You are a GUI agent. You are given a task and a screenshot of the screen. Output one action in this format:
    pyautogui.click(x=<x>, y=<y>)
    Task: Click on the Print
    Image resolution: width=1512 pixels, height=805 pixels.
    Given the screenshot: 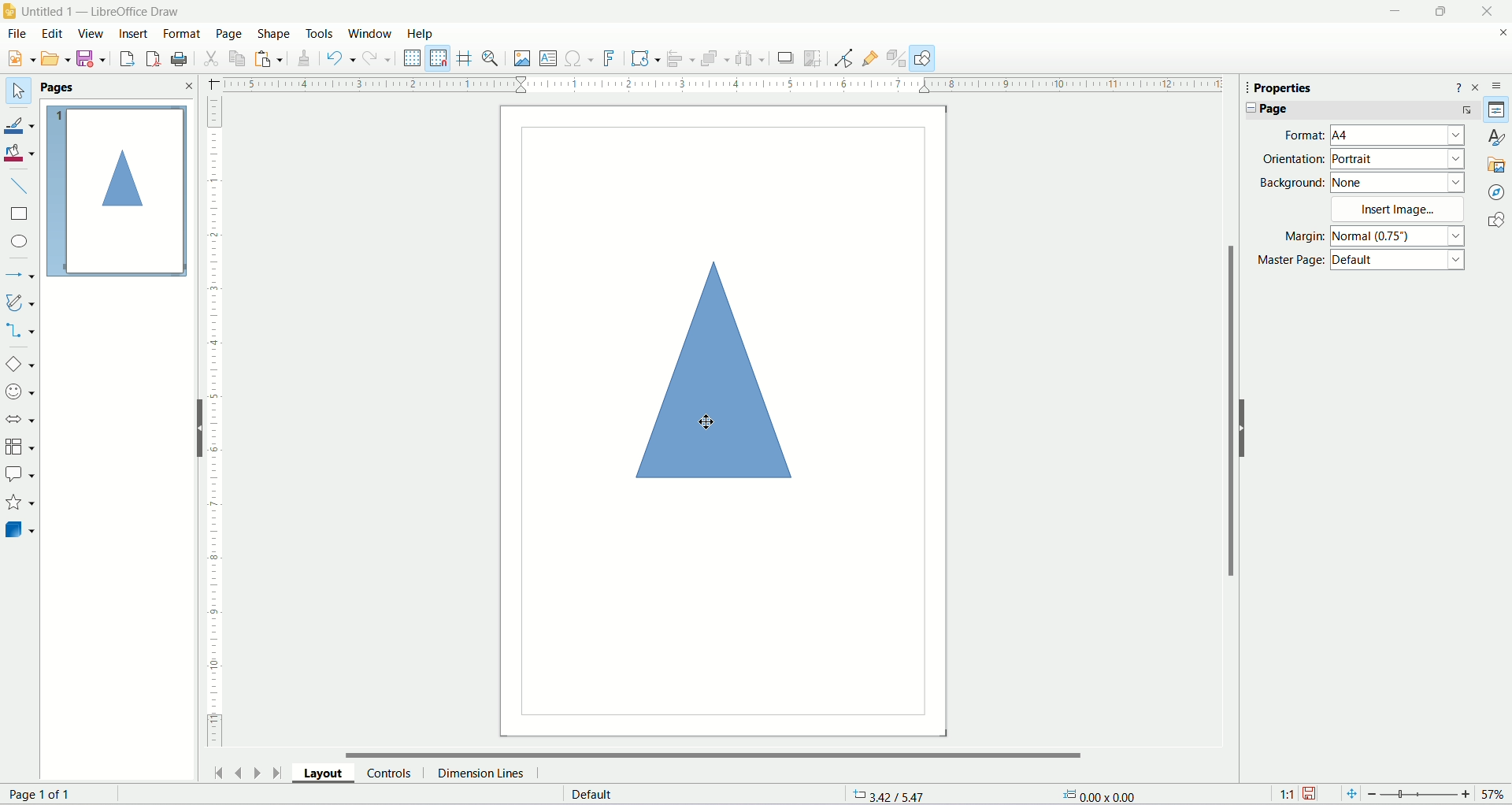 What is the action you would take?
    pyautogui.click(x=180, y=58)
    